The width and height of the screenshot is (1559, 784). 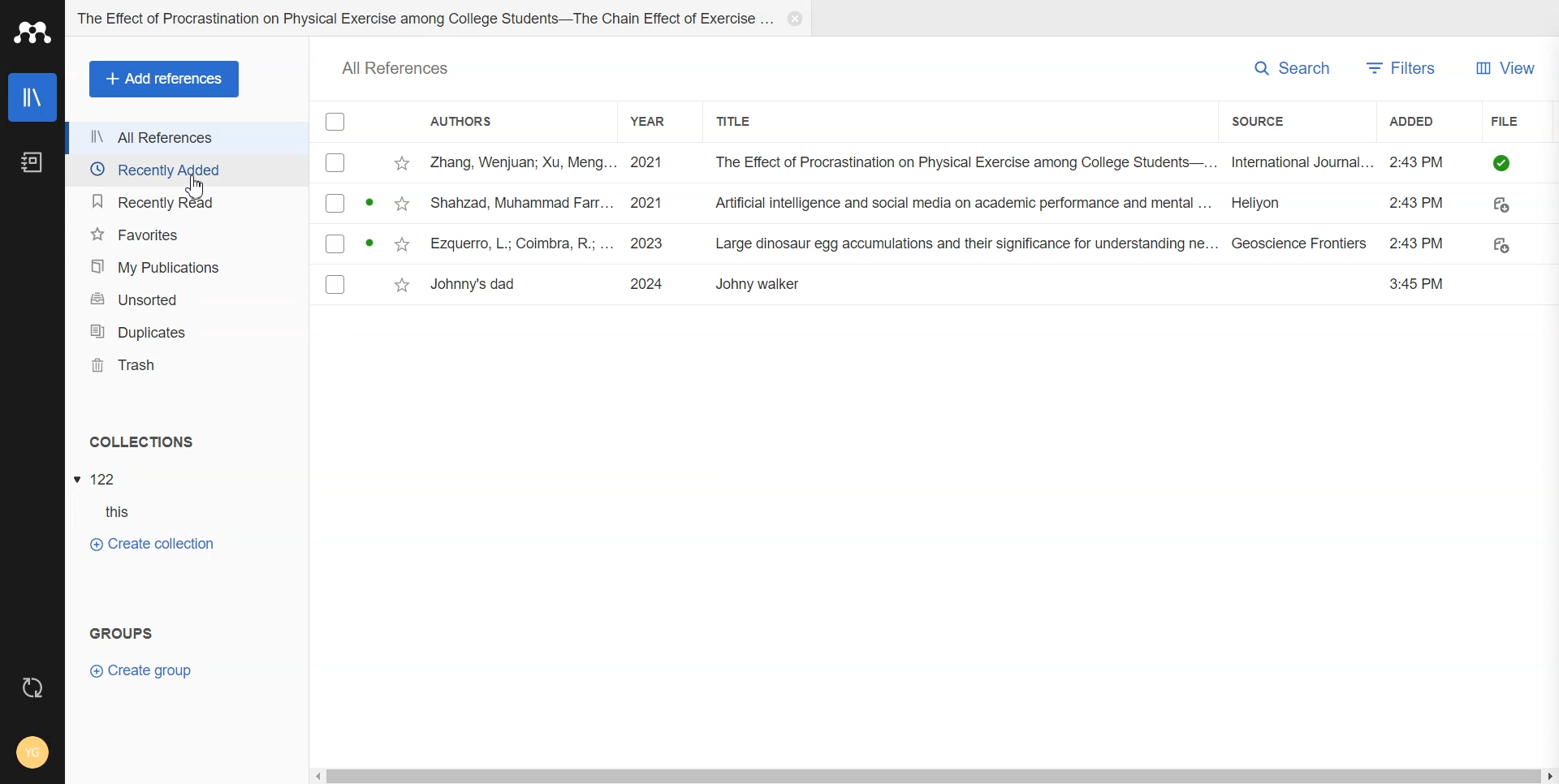 What do you see at coordinates (795, 19) in the screenshot?
I see `Close folder` at bounding box center [795, 19].